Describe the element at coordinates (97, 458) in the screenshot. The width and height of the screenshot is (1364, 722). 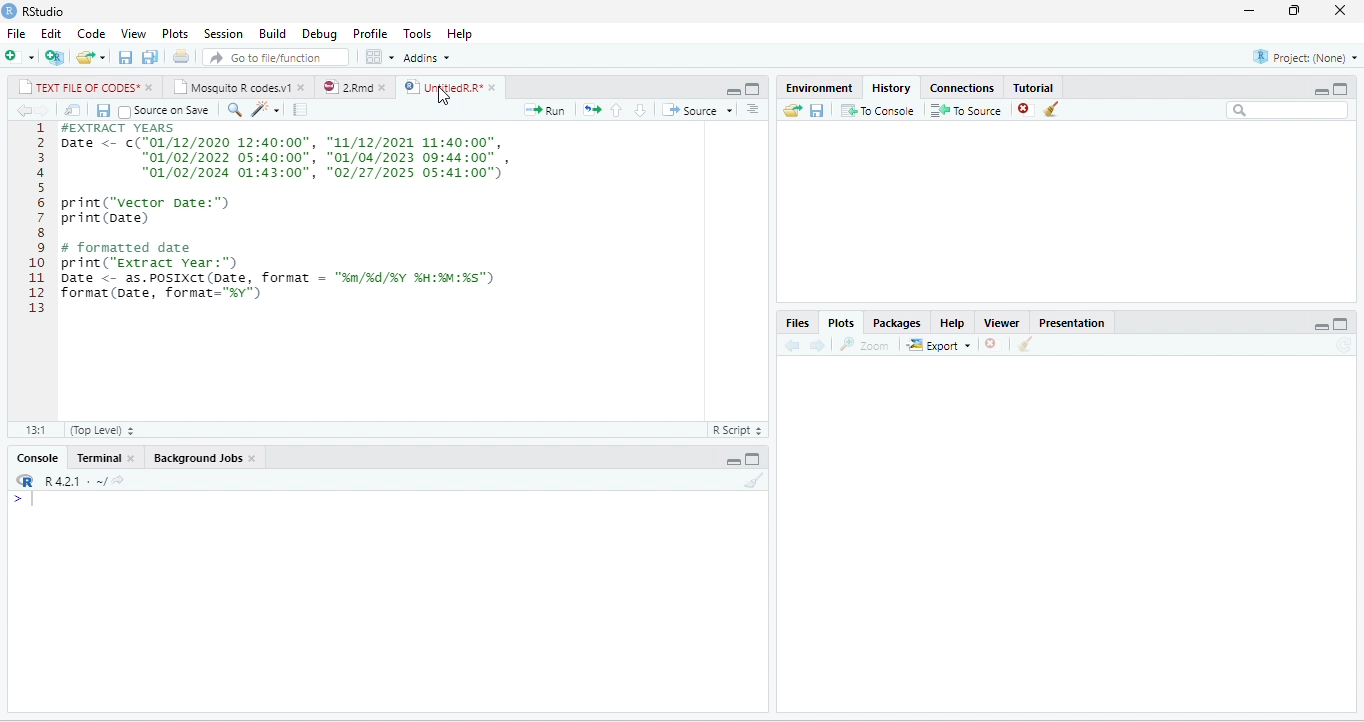
I see `Terminal ` at that location.